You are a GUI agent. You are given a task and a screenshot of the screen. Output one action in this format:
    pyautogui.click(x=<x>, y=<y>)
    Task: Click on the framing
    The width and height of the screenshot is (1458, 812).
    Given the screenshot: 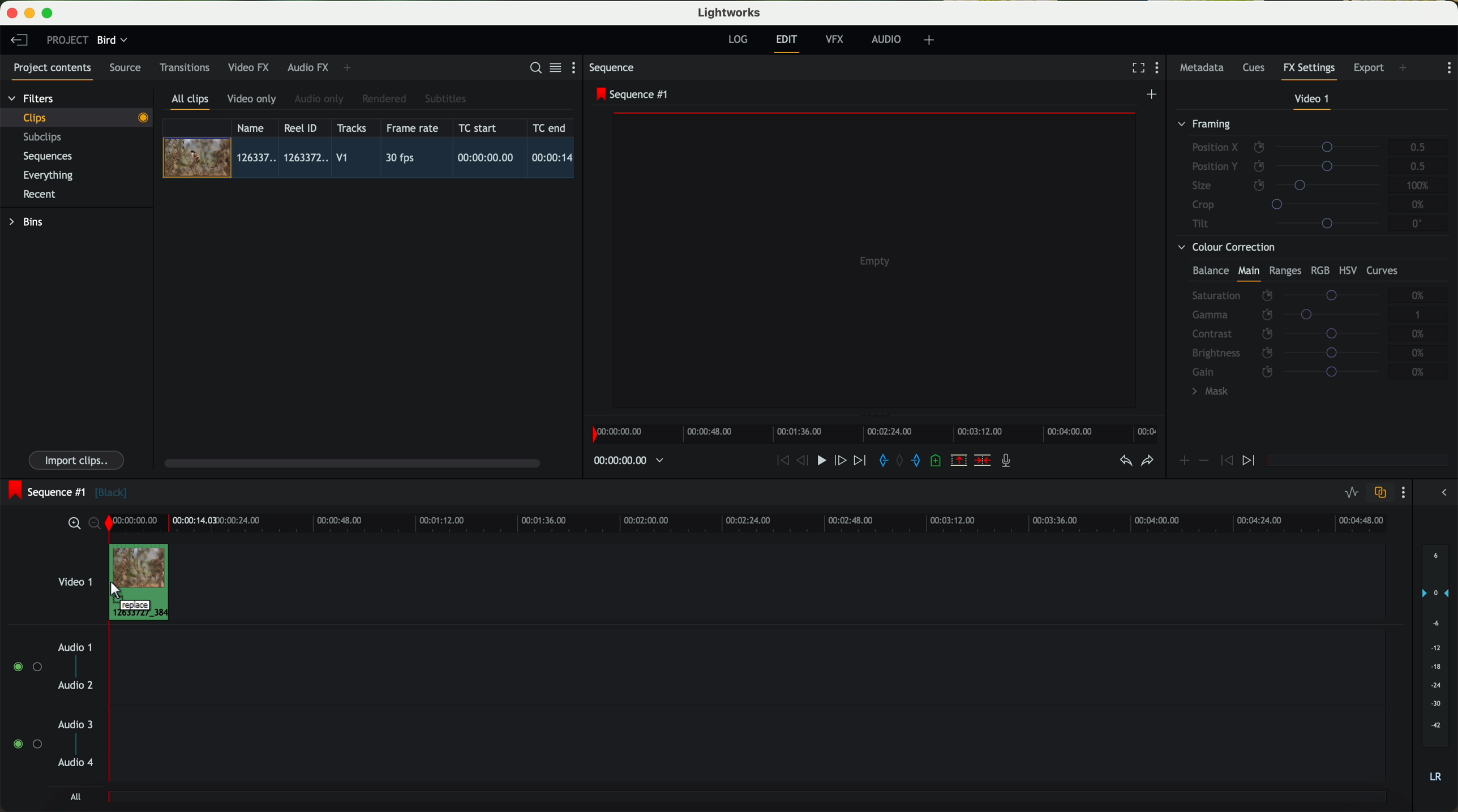 What is the action you would take?
    pyautogui.click(x=1205, y=126)
    